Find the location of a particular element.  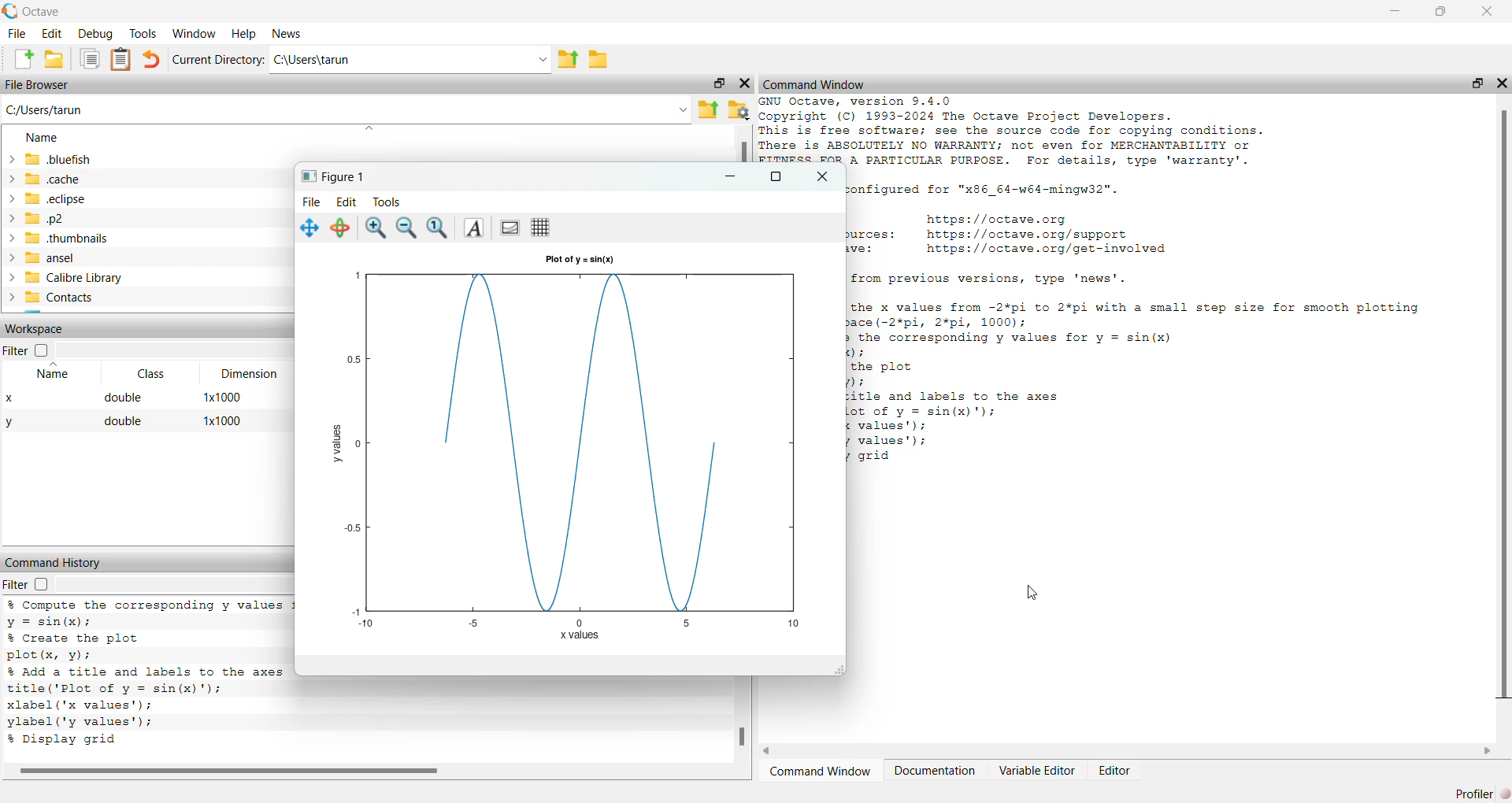

Dimension is located at coordinates (249, 373).